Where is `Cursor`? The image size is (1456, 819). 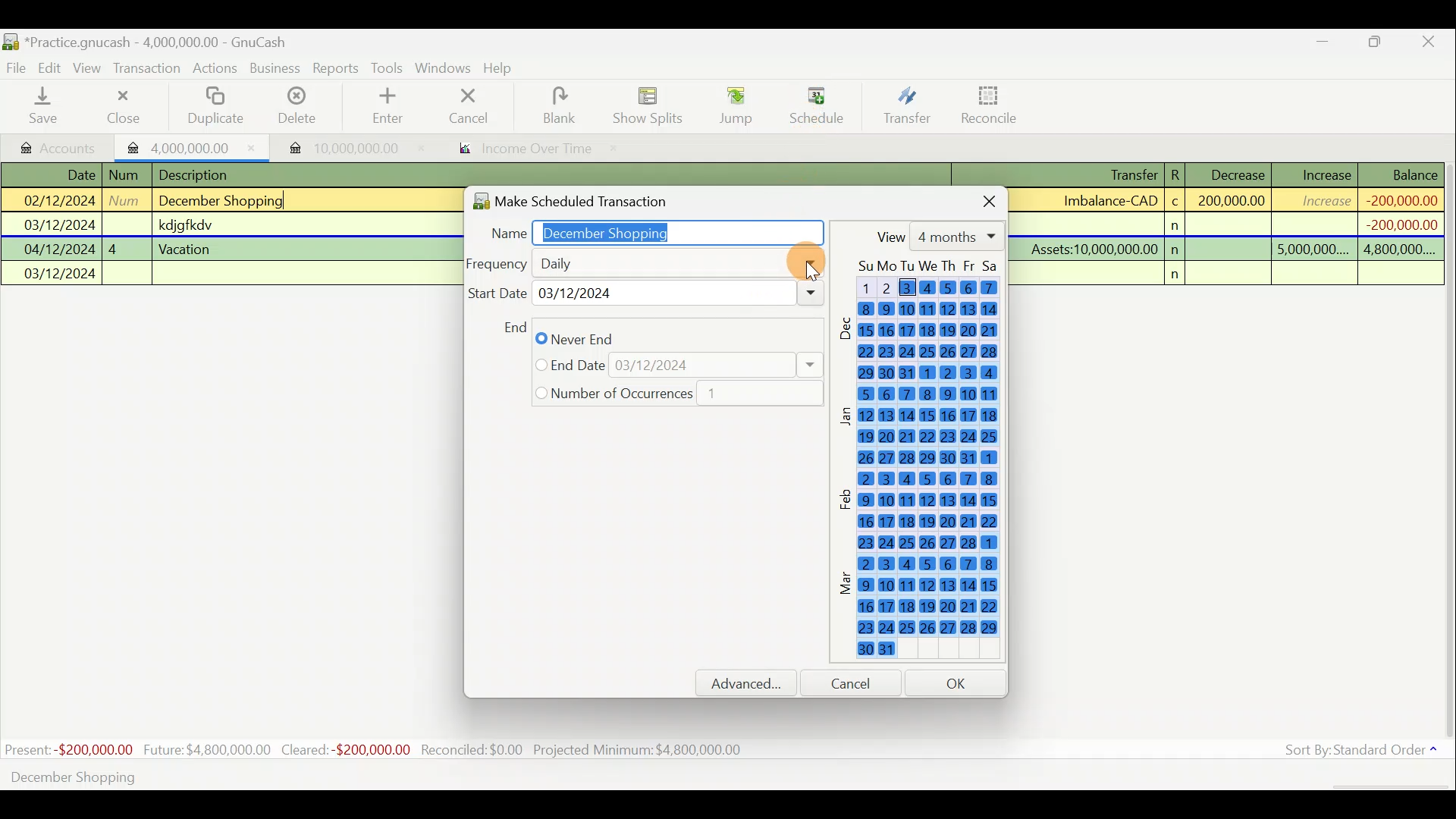
Cursor is located at coordinates (815, 99).